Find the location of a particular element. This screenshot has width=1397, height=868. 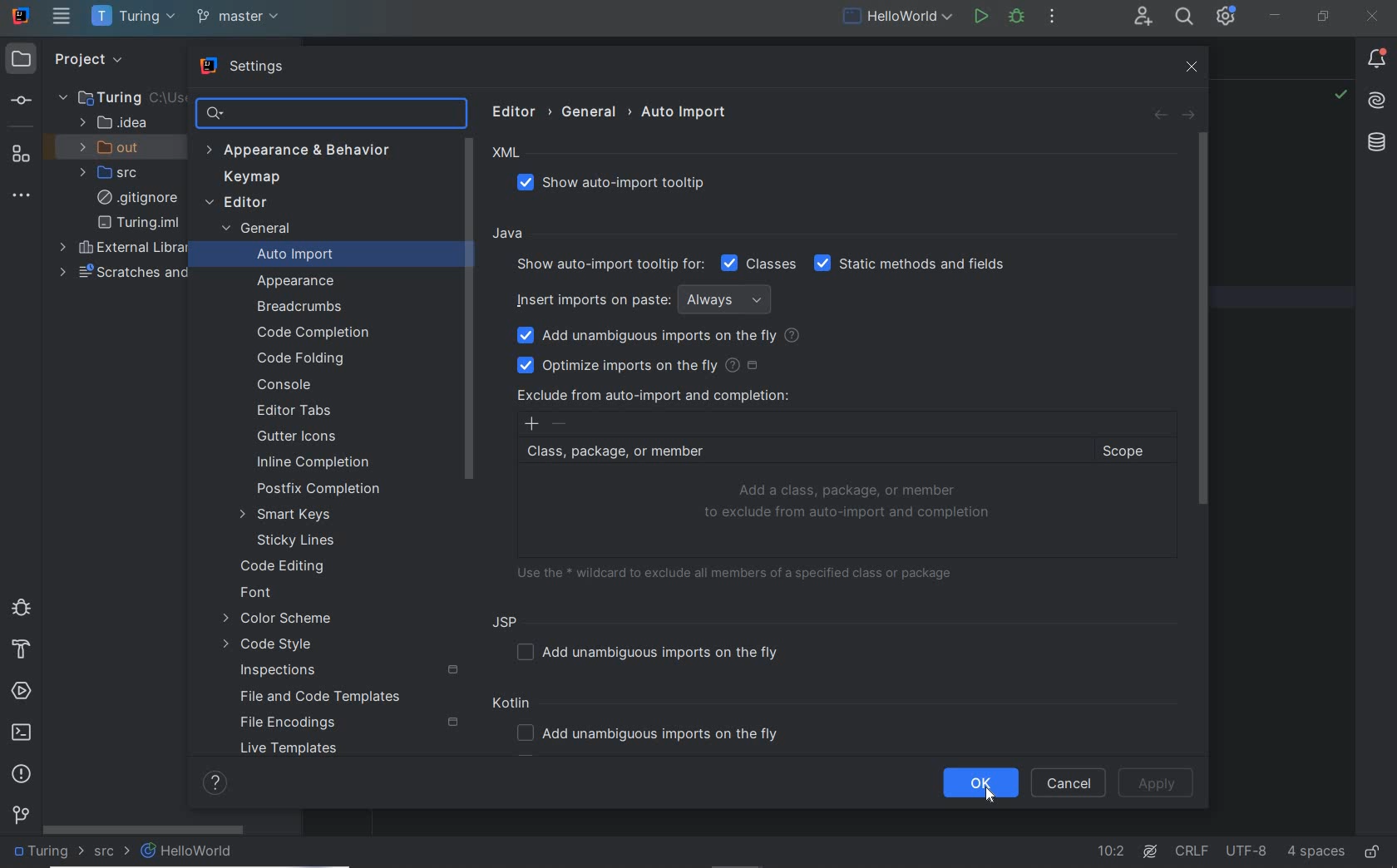

close is located at coordinates (1194, 67).